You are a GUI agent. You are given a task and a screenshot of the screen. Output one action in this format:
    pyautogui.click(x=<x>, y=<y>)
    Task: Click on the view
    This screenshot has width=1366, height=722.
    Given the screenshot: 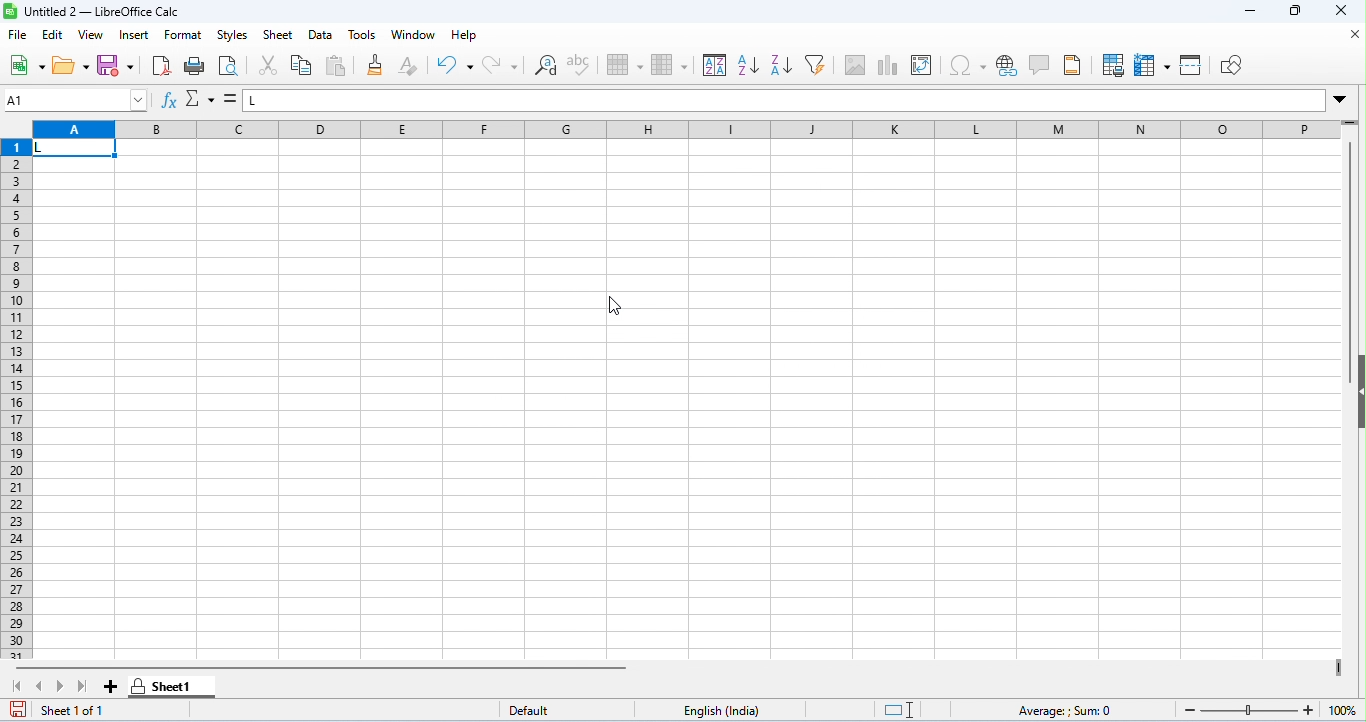 What is the action you would take?
    pyautogui.click(x=92, y=35)
    